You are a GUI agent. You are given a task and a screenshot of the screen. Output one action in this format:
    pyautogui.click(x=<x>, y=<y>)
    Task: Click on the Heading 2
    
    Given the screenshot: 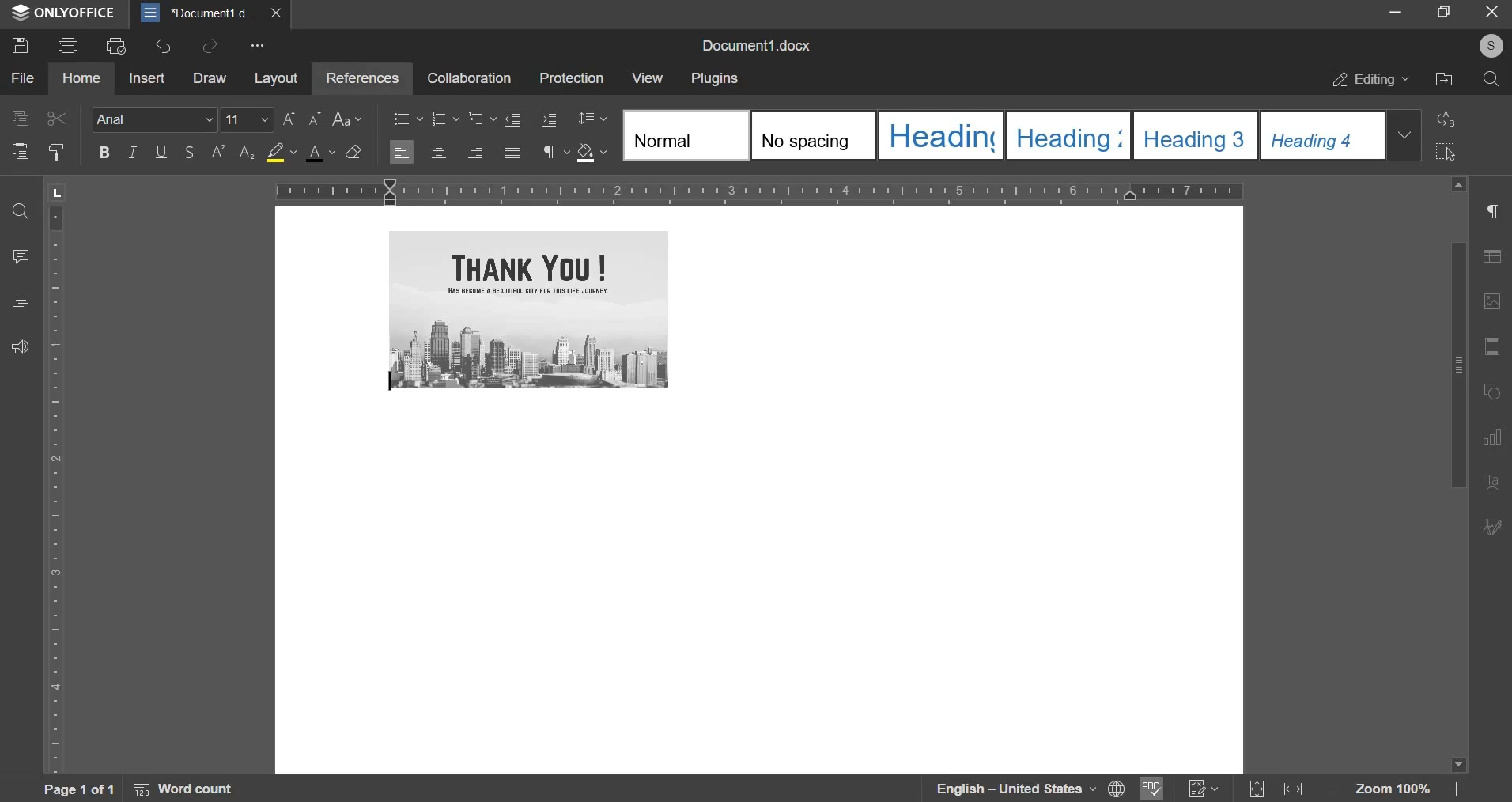 What is the action you would take?
    pyautogui.click(x=1068, y=135)
    